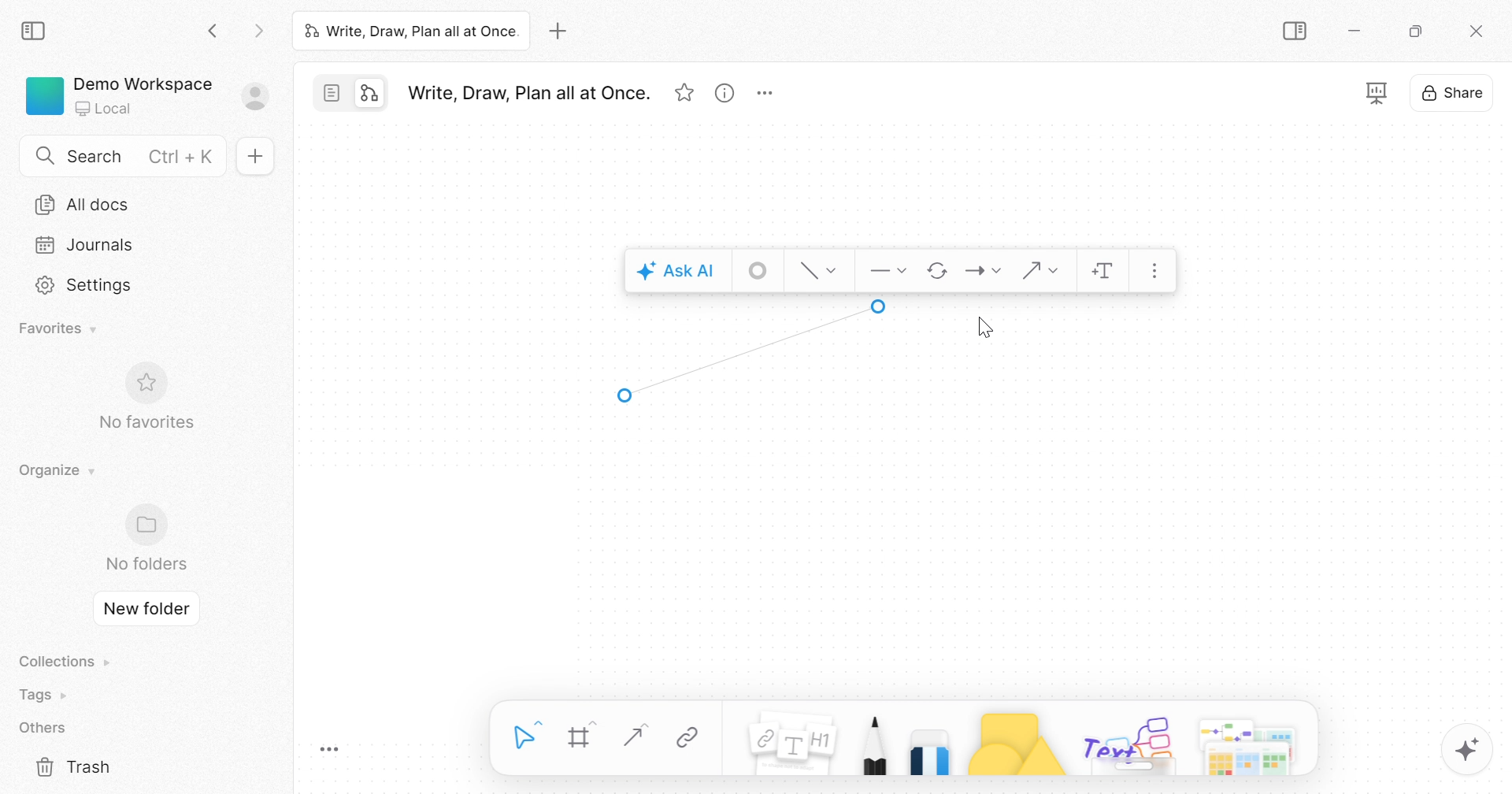 Image resolution: width=1512 pixels, height=794 pixels. What do you see at coordinates (1042, 269) in the screenshot?
I see `Connector shape` at bounding box center [1042, 269].